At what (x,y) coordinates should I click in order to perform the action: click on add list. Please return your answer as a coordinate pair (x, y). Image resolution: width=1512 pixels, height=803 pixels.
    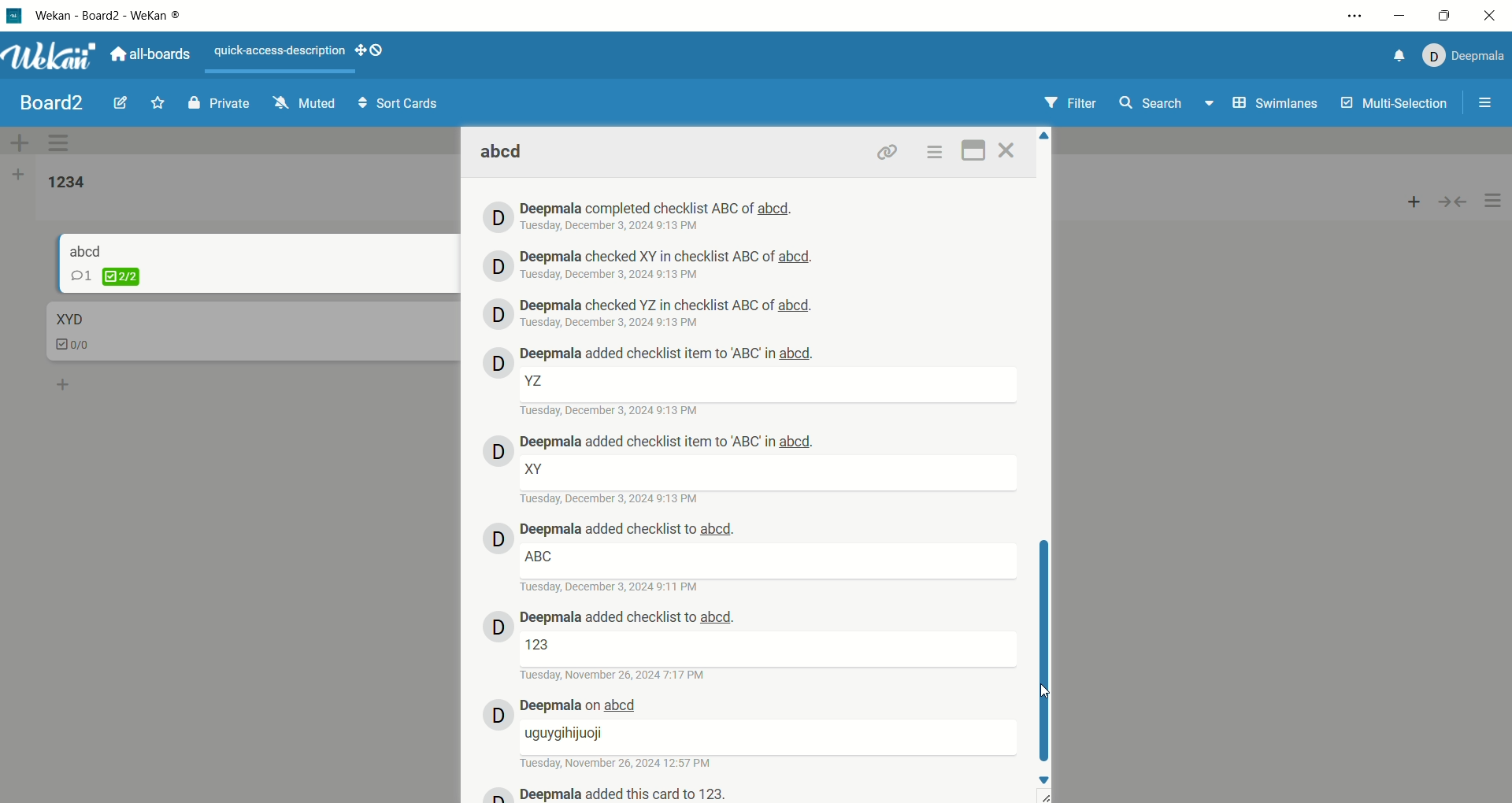
    Looking at the image, I should click on (18, 177).